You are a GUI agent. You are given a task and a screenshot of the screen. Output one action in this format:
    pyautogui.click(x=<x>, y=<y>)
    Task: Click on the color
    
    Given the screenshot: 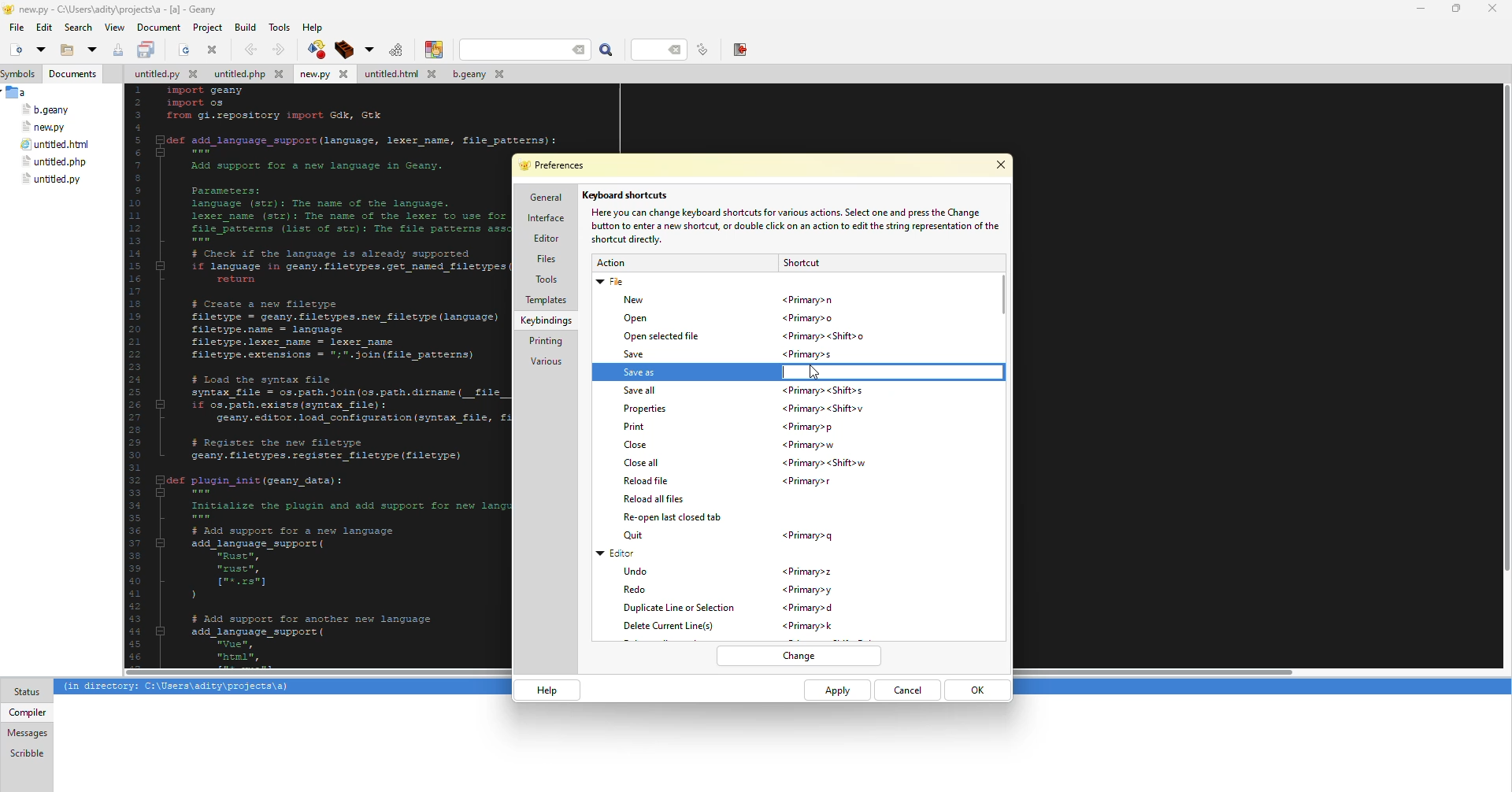 What is the action you would take?
    pyautogui.click(x=431, y=50)
    